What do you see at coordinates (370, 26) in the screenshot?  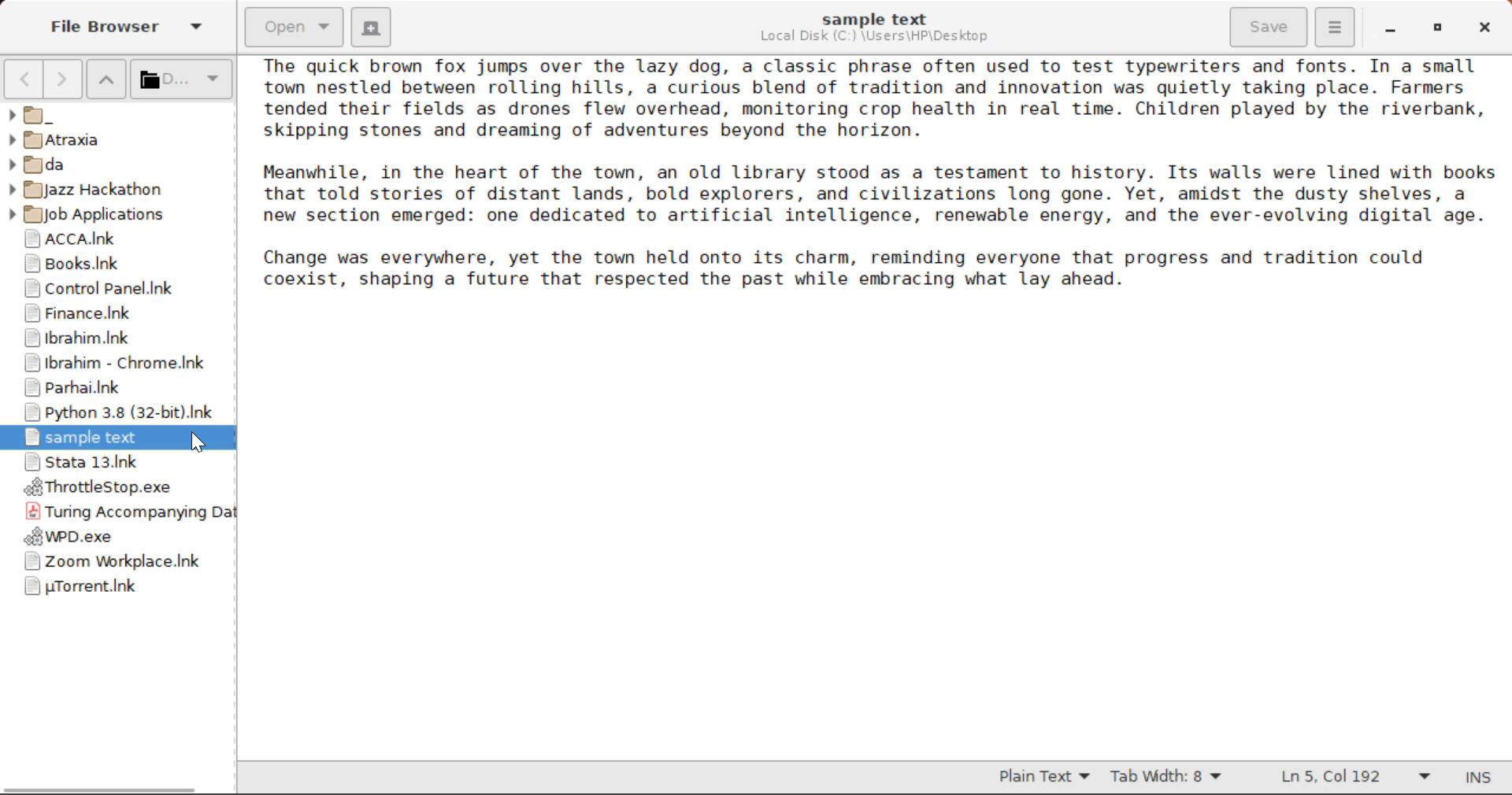 I see `Create New Document` at bounding box center [370, 26].